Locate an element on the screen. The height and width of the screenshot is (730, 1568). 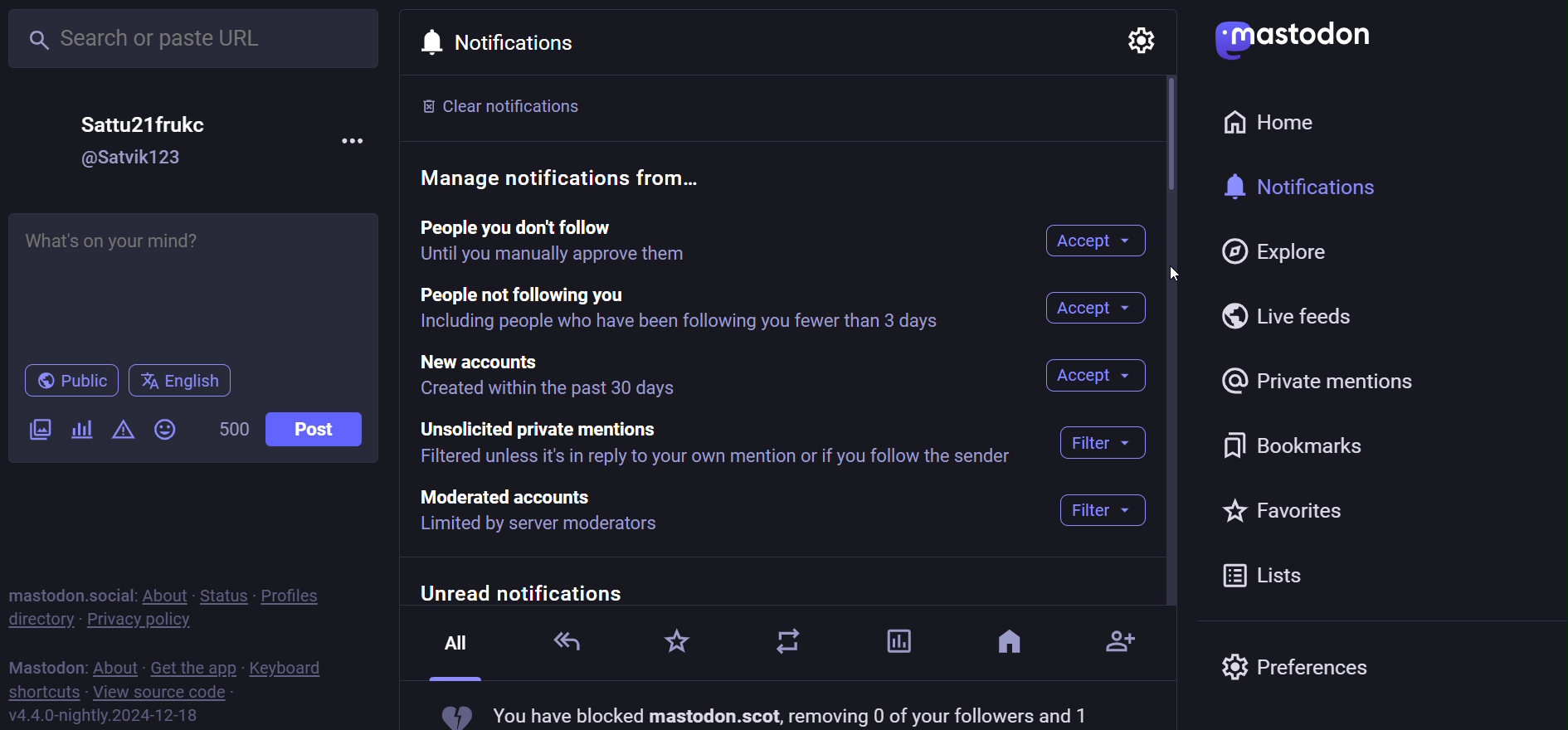
mastodon is located at coordinates (1292, 38).